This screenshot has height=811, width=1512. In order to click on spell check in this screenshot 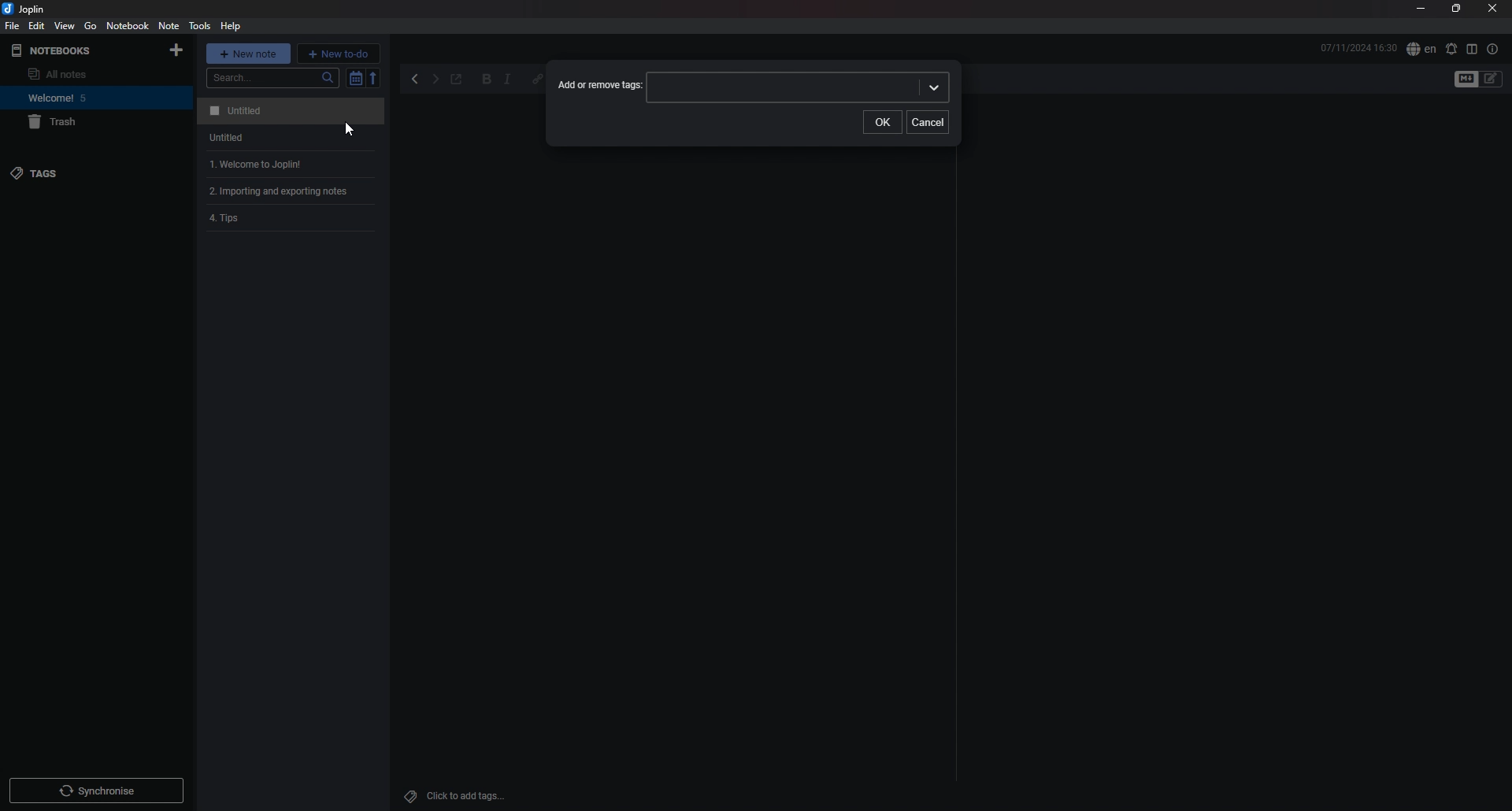, I will do `click(1421, 50)`.